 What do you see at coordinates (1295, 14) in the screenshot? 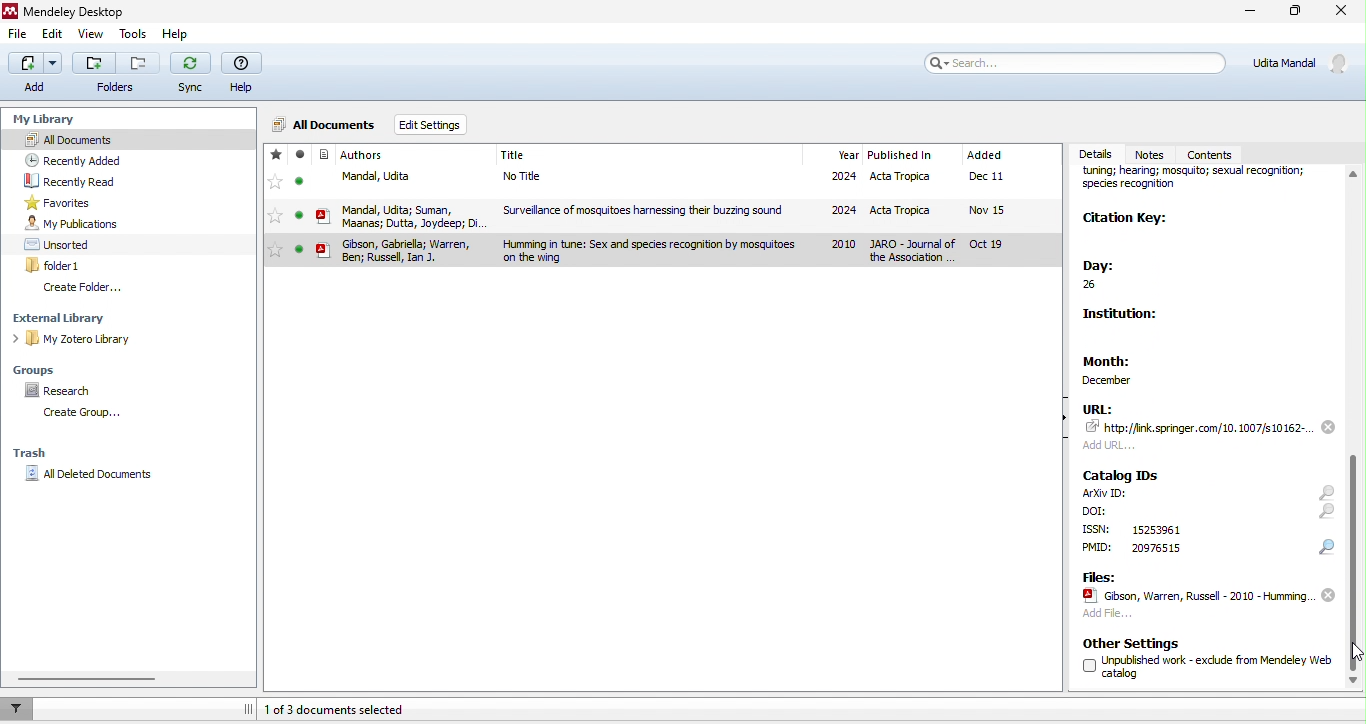
I see `maximize` at bounding box center [1295, 14].